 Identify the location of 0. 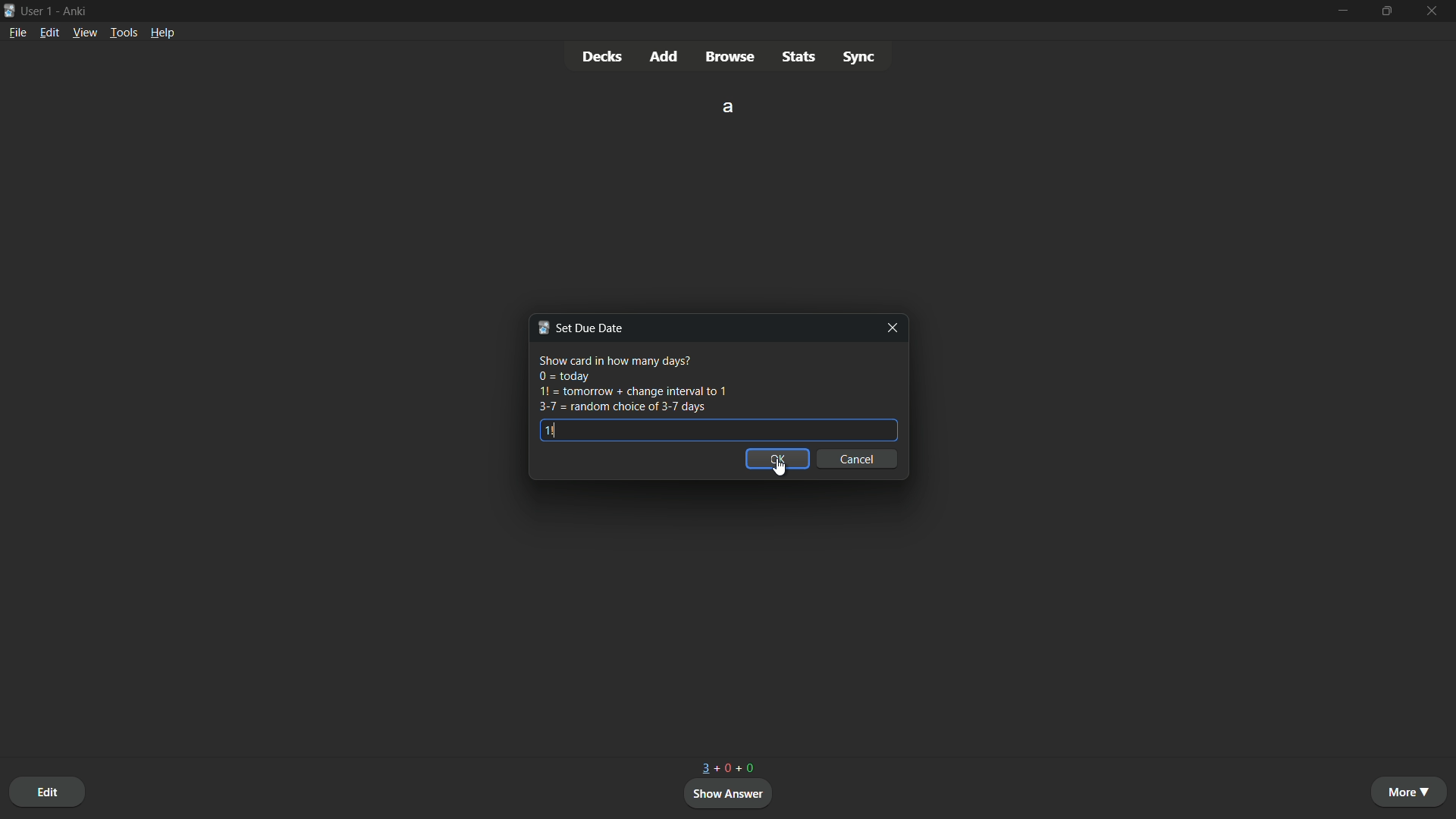
(724, 770).